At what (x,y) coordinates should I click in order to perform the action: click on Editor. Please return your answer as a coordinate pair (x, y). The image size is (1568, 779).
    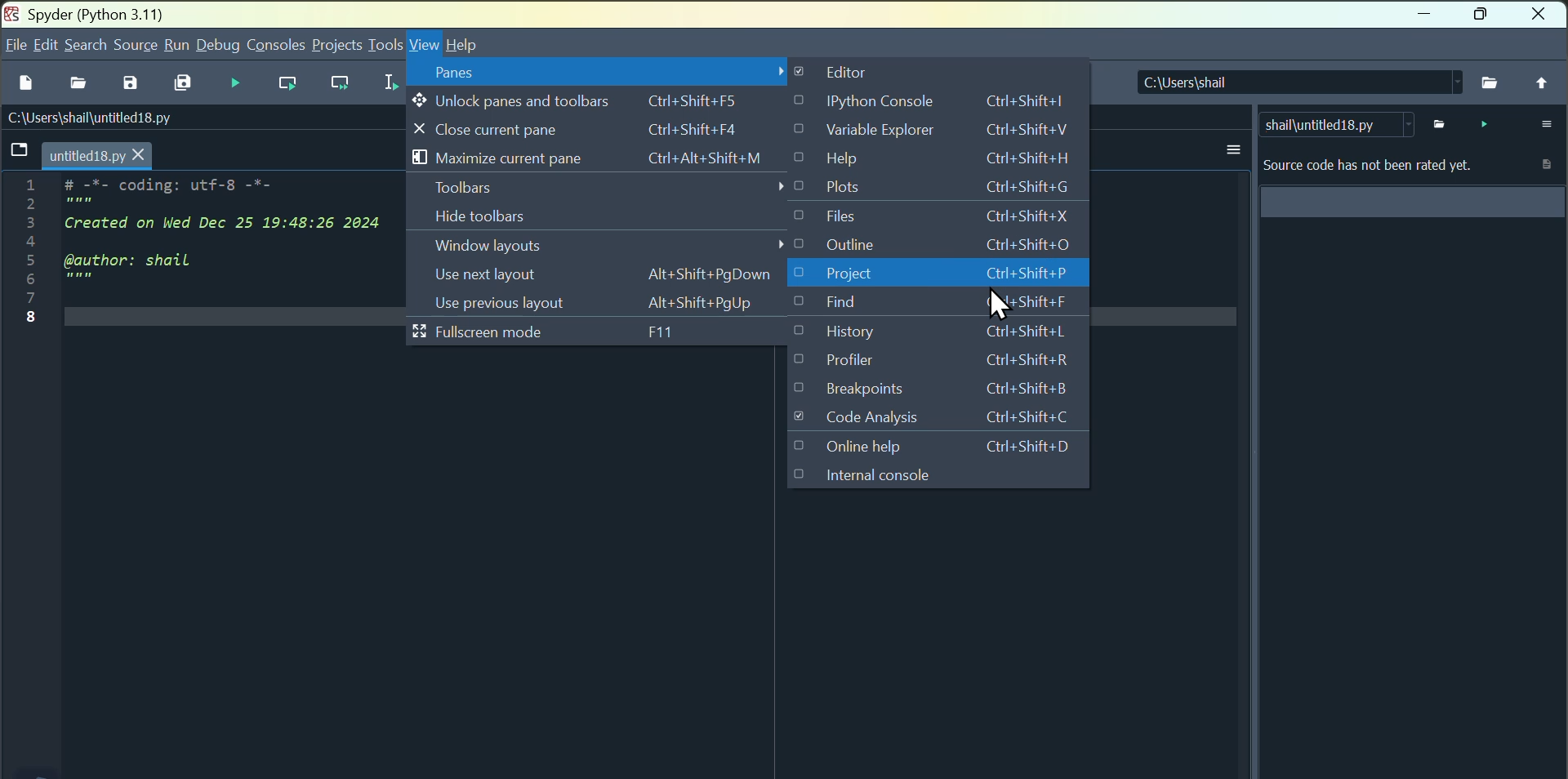
    Looking at the image, I should click on (916, 69).